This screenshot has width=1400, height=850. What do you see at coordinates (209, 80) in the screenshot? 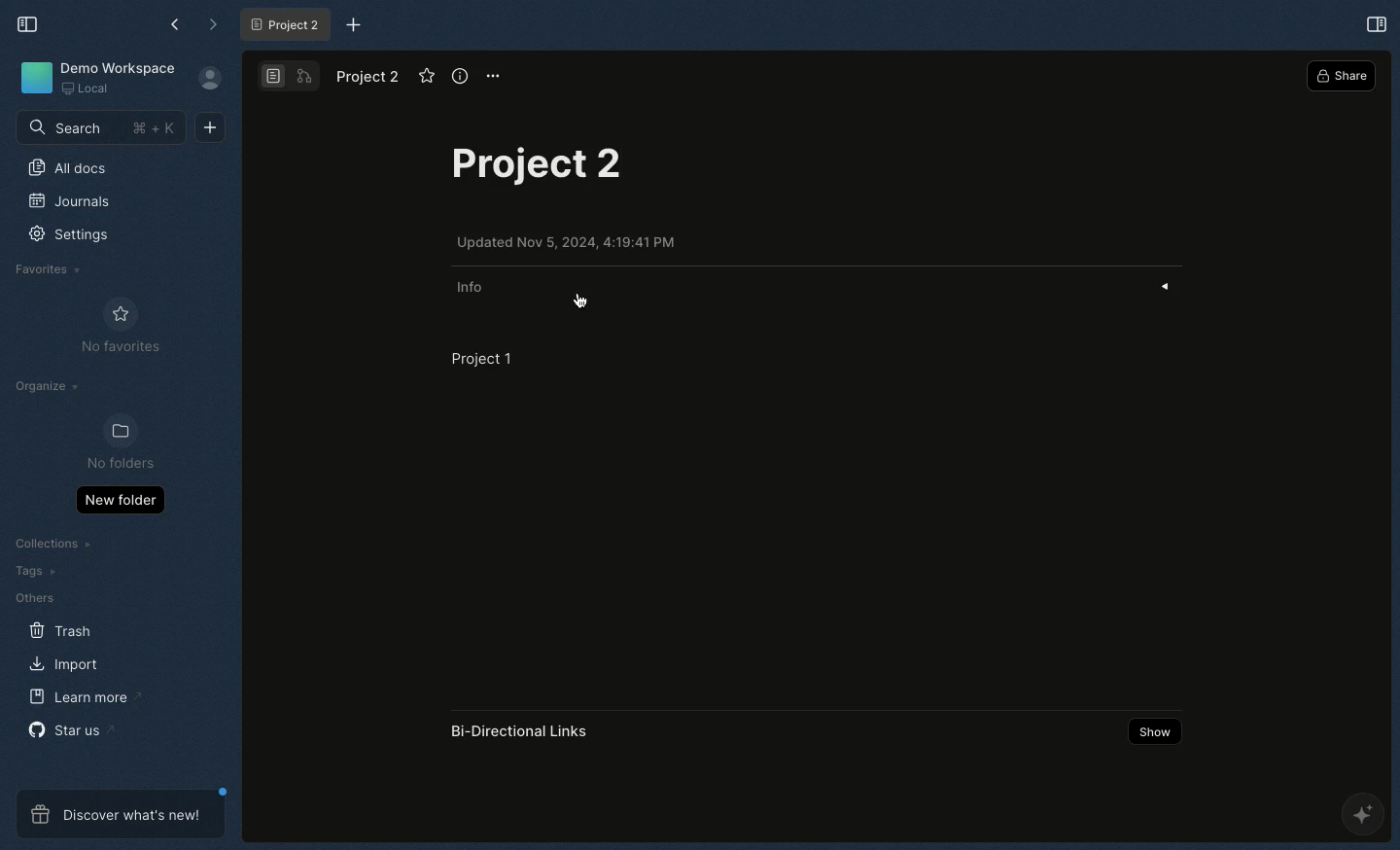
I see `User` at bounding box center [209, 80].